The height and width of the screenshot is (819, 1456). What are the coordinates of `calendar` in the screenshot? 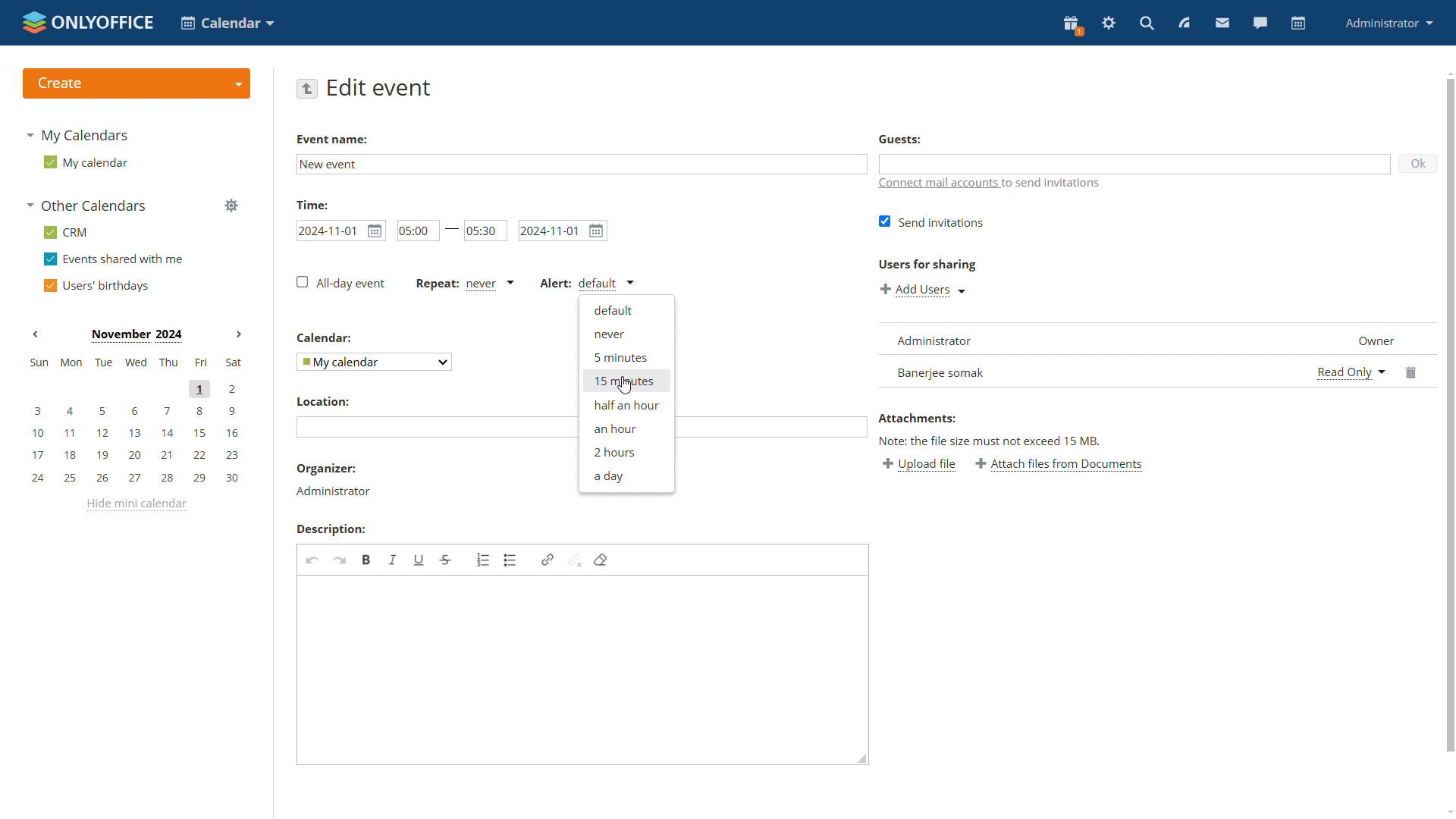 It's located at (1298, 24).